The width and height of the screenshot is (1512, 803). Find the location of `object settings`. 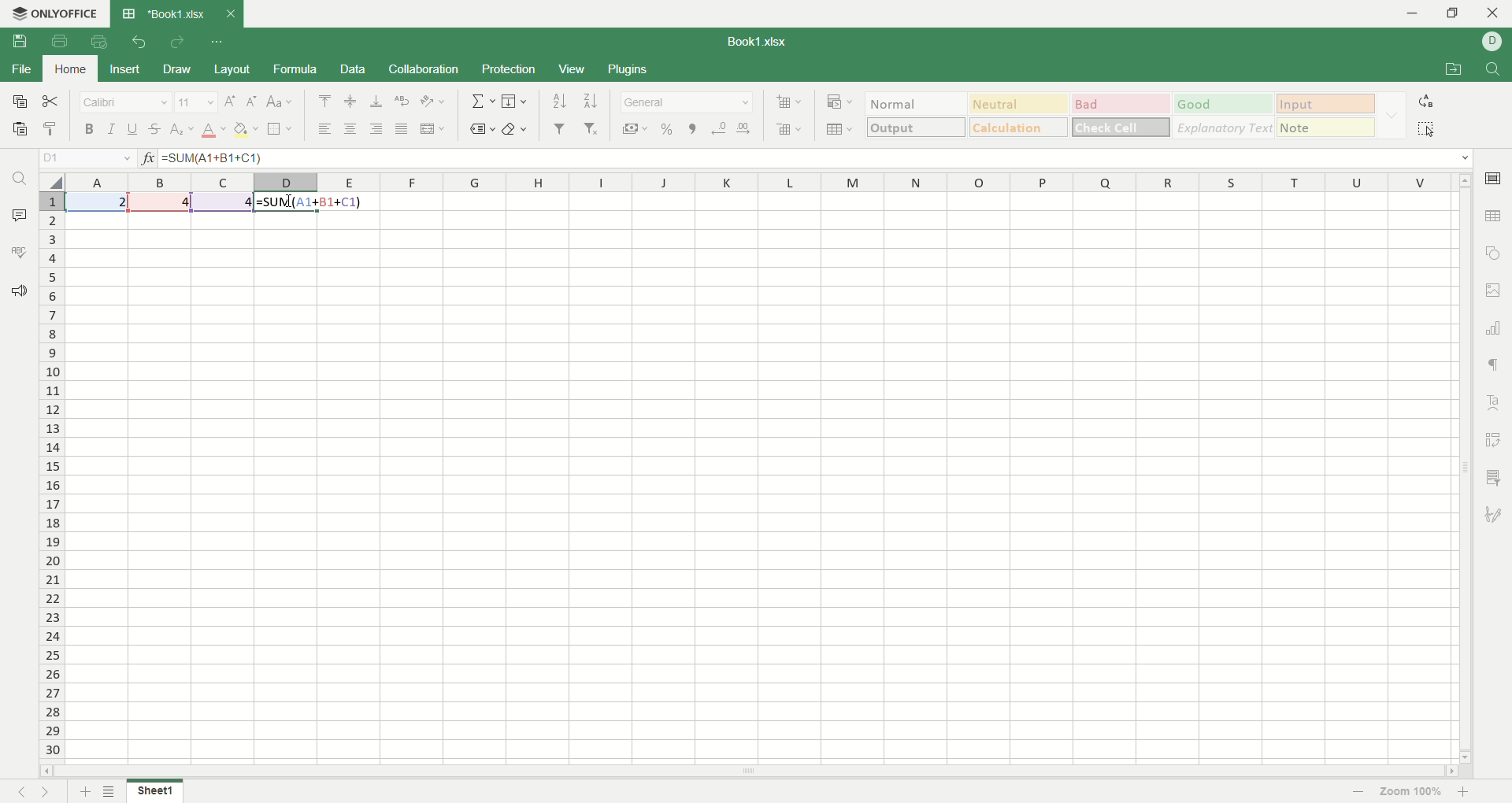

object settings is located at coordinates (1494, 253).